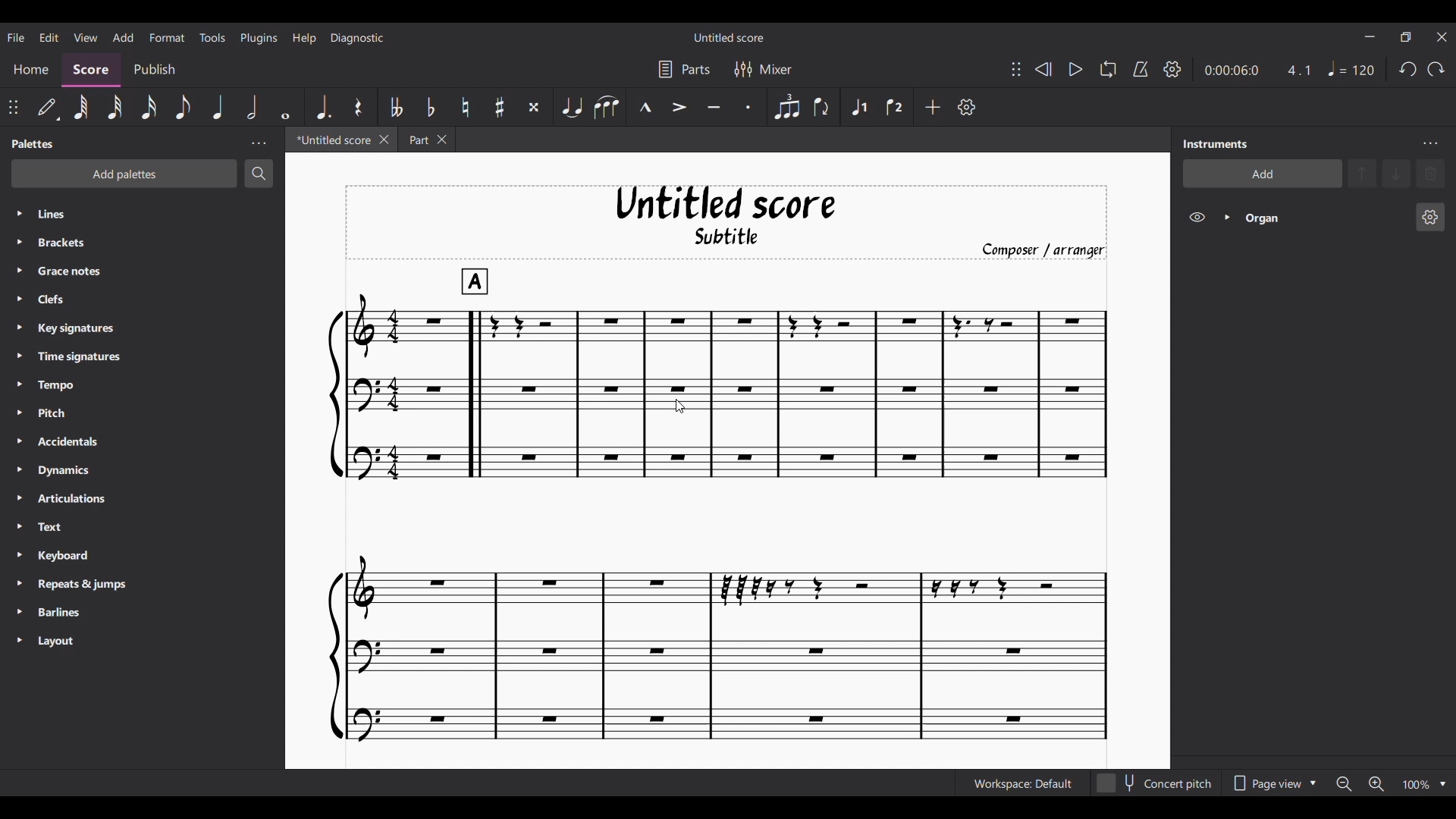 This screenshot has width=1456, height=819. Describe the element at coordinates (426, 140) in the screenshot. I see `Earlier tab` at that location.